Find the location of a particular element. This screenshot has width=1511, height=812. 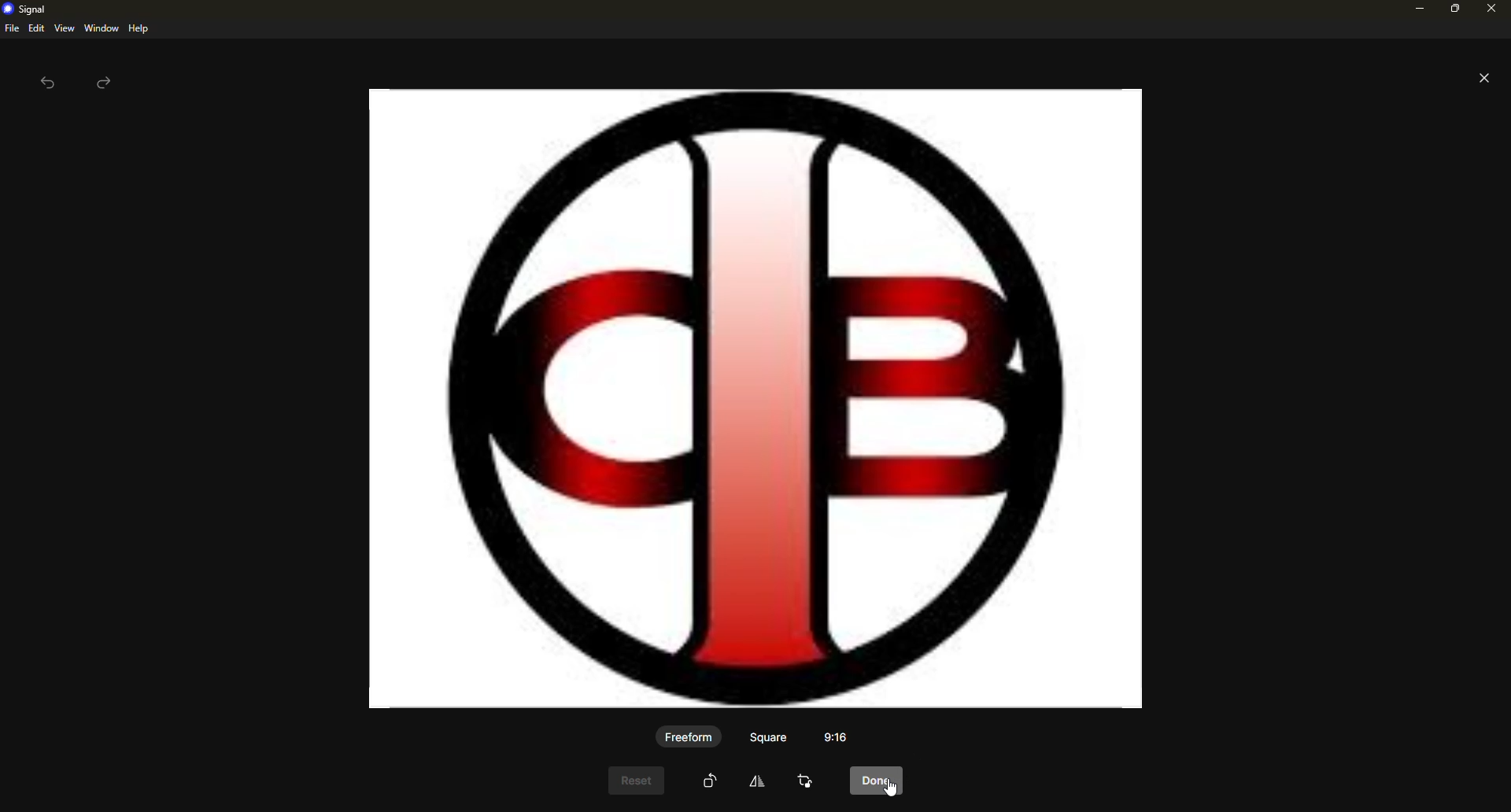

minimize is located at coordinates (1417, 9).